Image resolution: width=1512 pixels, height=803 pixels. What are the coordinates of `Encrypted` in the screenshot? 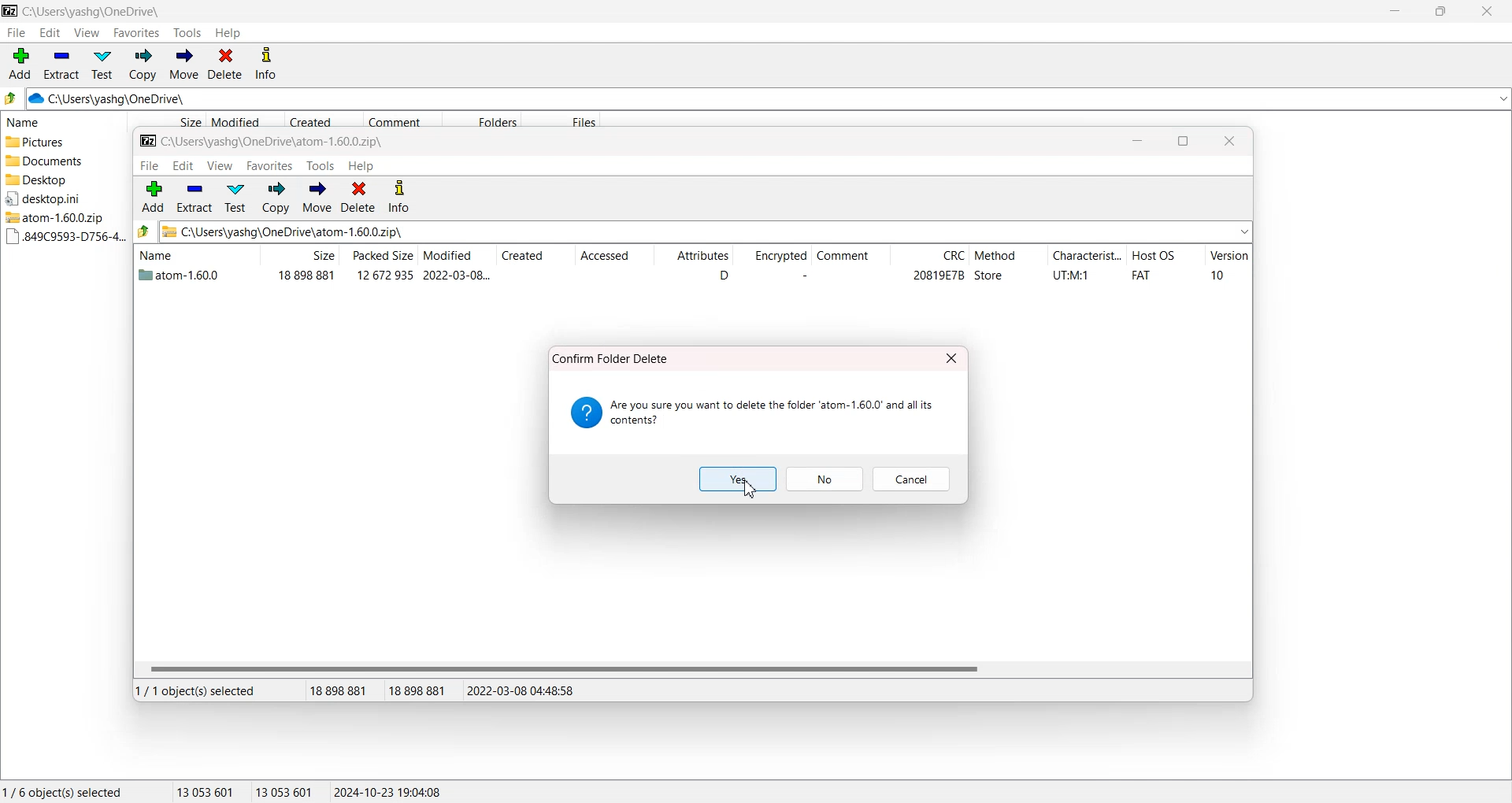 It's located at (771, 257).